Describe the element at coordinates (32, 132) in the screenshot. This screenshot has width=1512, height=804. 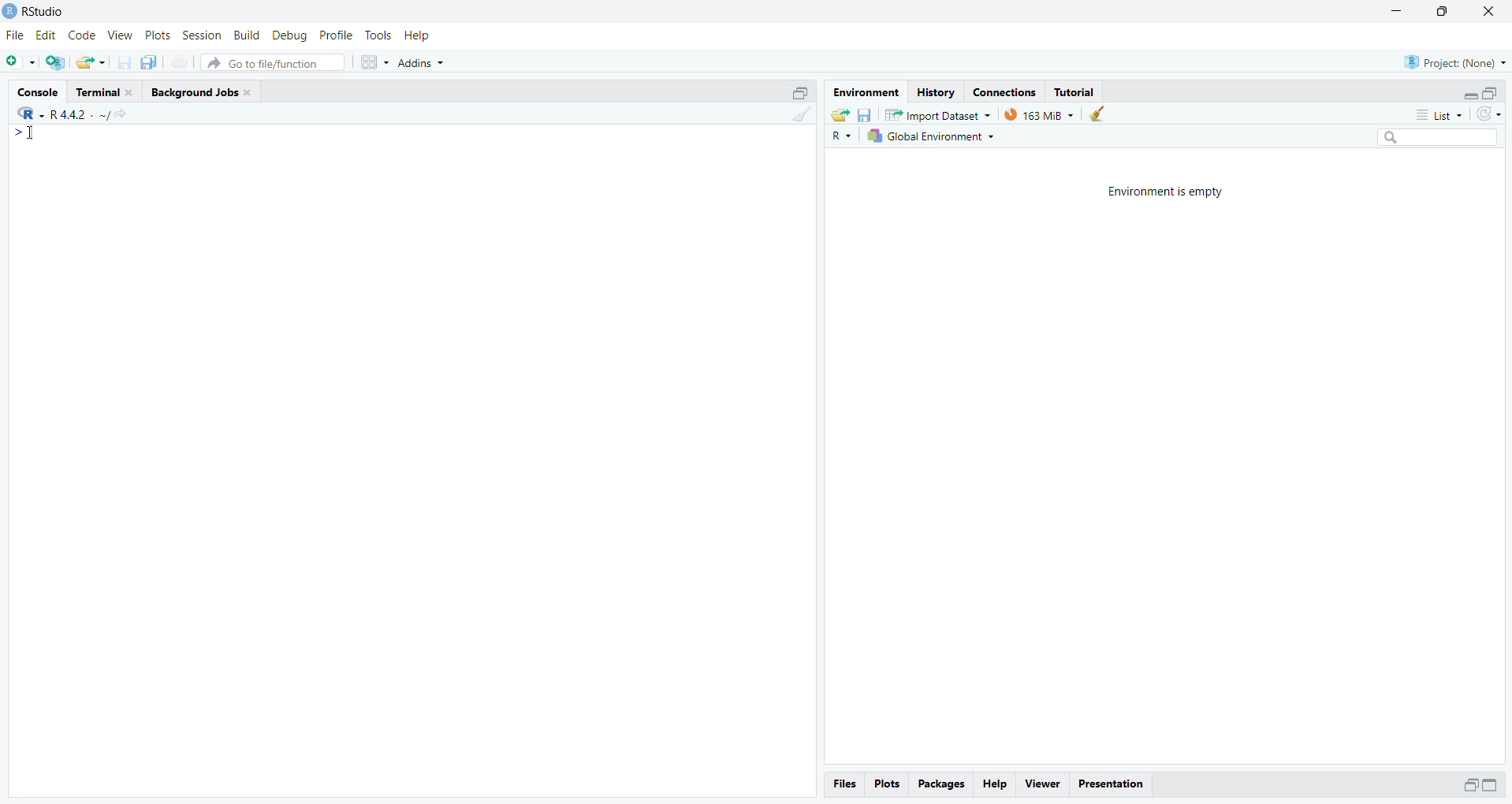
I see `cursor` at that location.